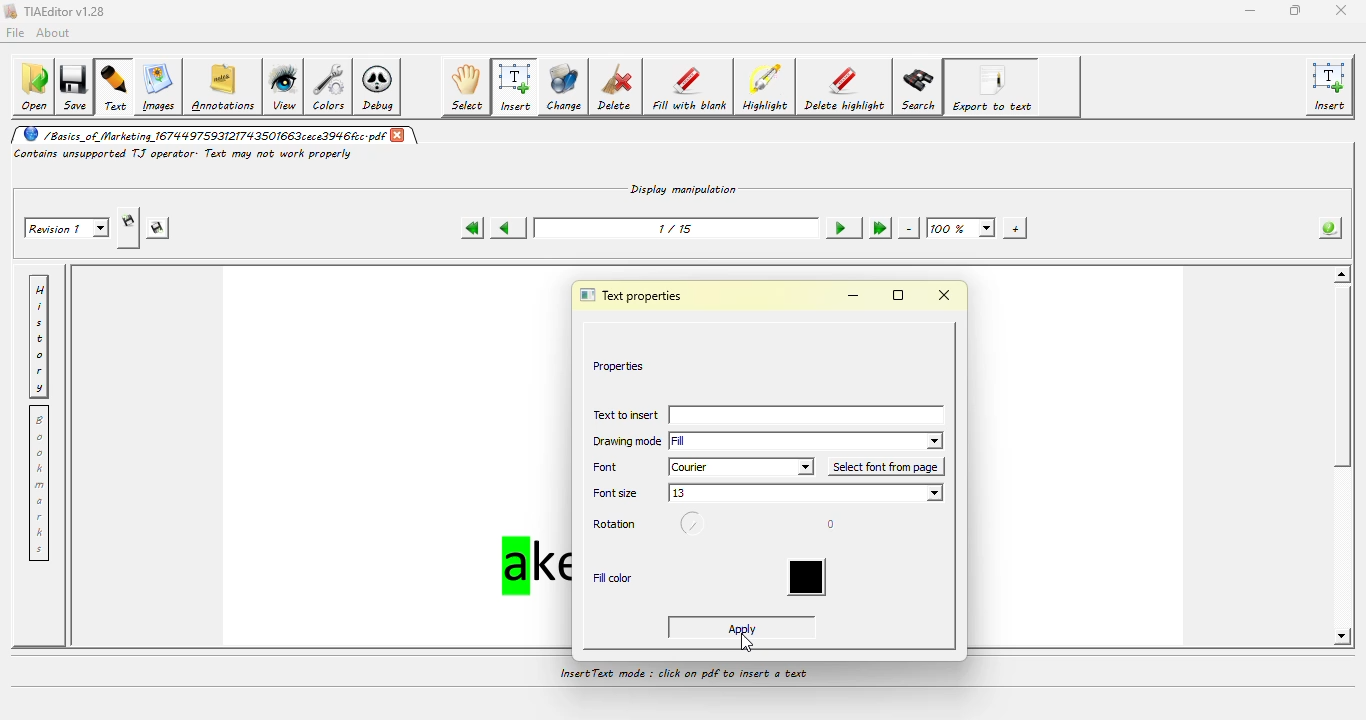 This screenshot has height=720, width=1366. What do you see at coordinates (684, 675) in the screenshot?
I see `Insert Text mode : click on pdf to insert a text` at bounding box center [684, 675].